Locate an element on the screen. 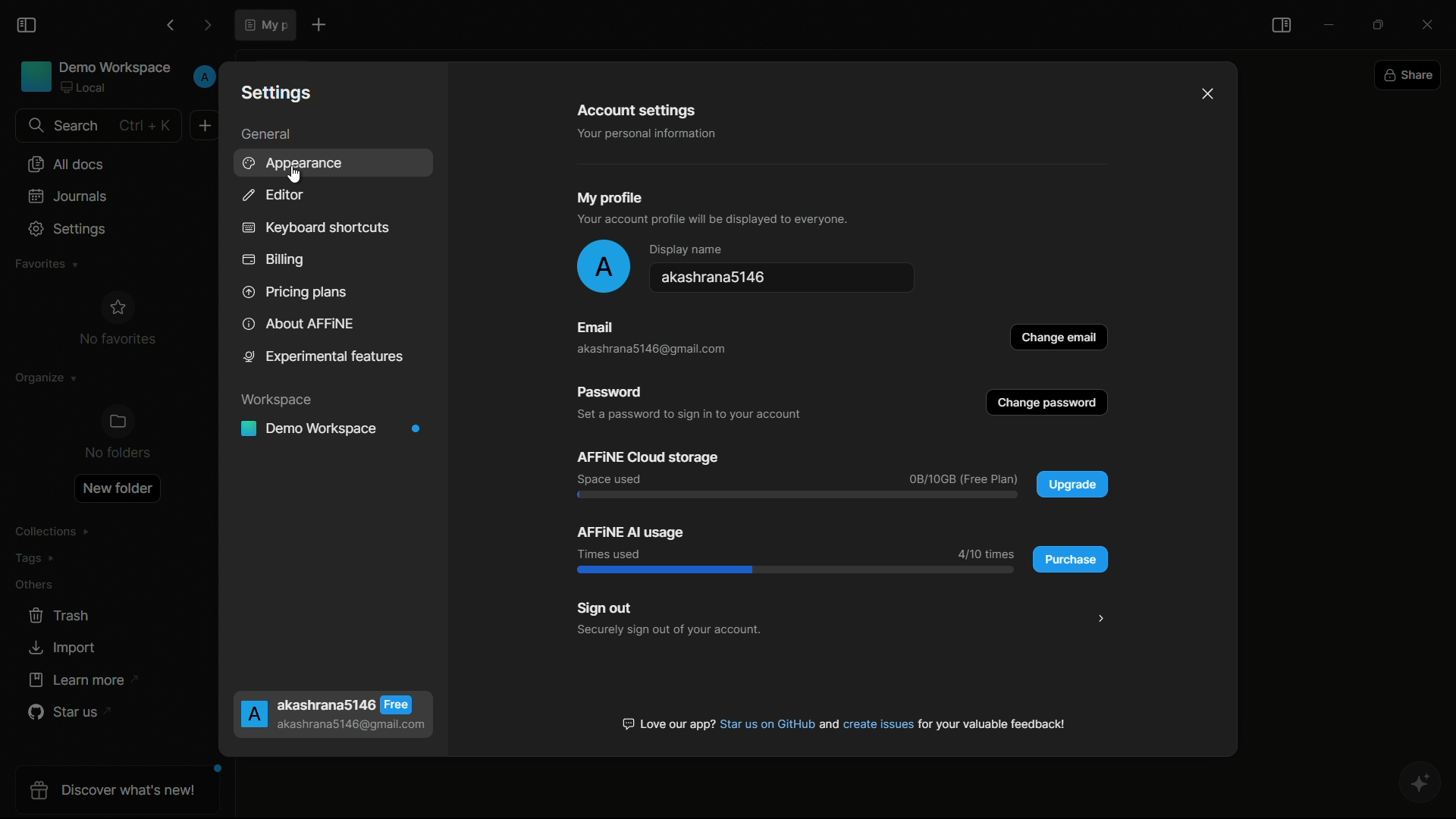 Image resolution: width=1456 pixels, height=819 pixels. toggle sidebar is located at coordinates (1282, 27).